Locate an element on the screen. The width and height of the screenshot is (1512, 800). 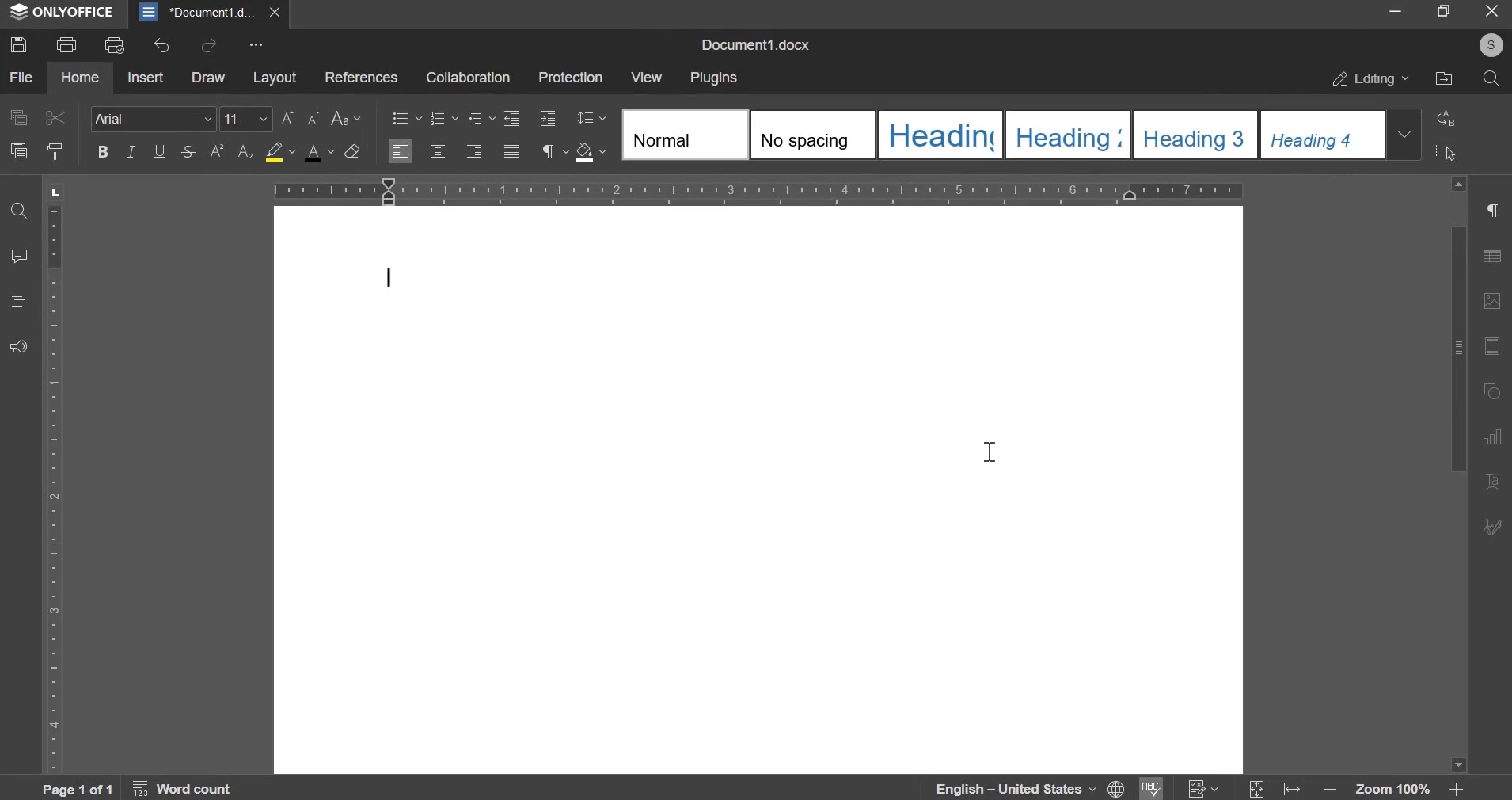
Heading 2 is located at coordinates (1062, 134).